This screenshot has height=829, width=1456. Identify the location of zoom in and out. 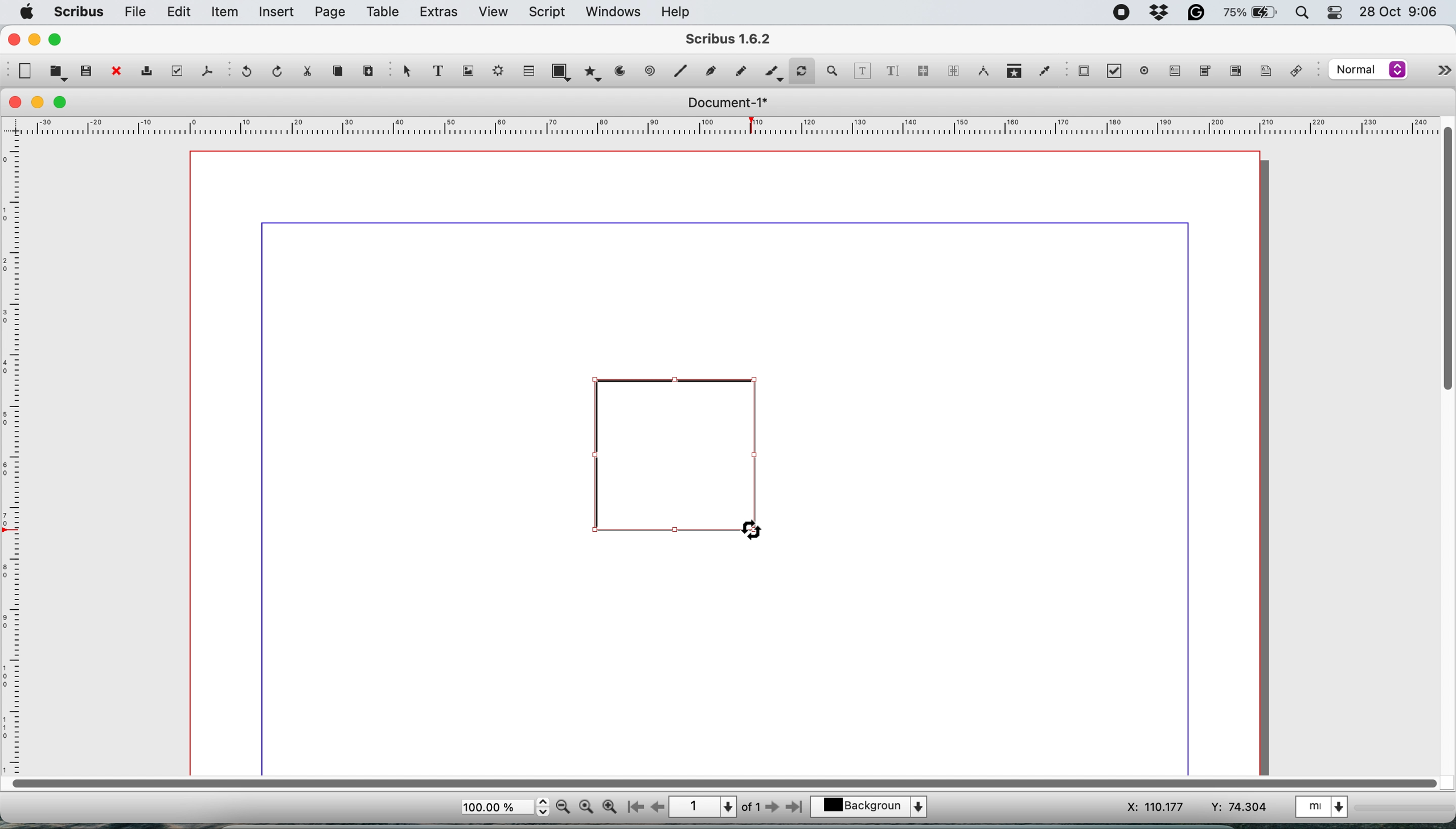
(835, 71).